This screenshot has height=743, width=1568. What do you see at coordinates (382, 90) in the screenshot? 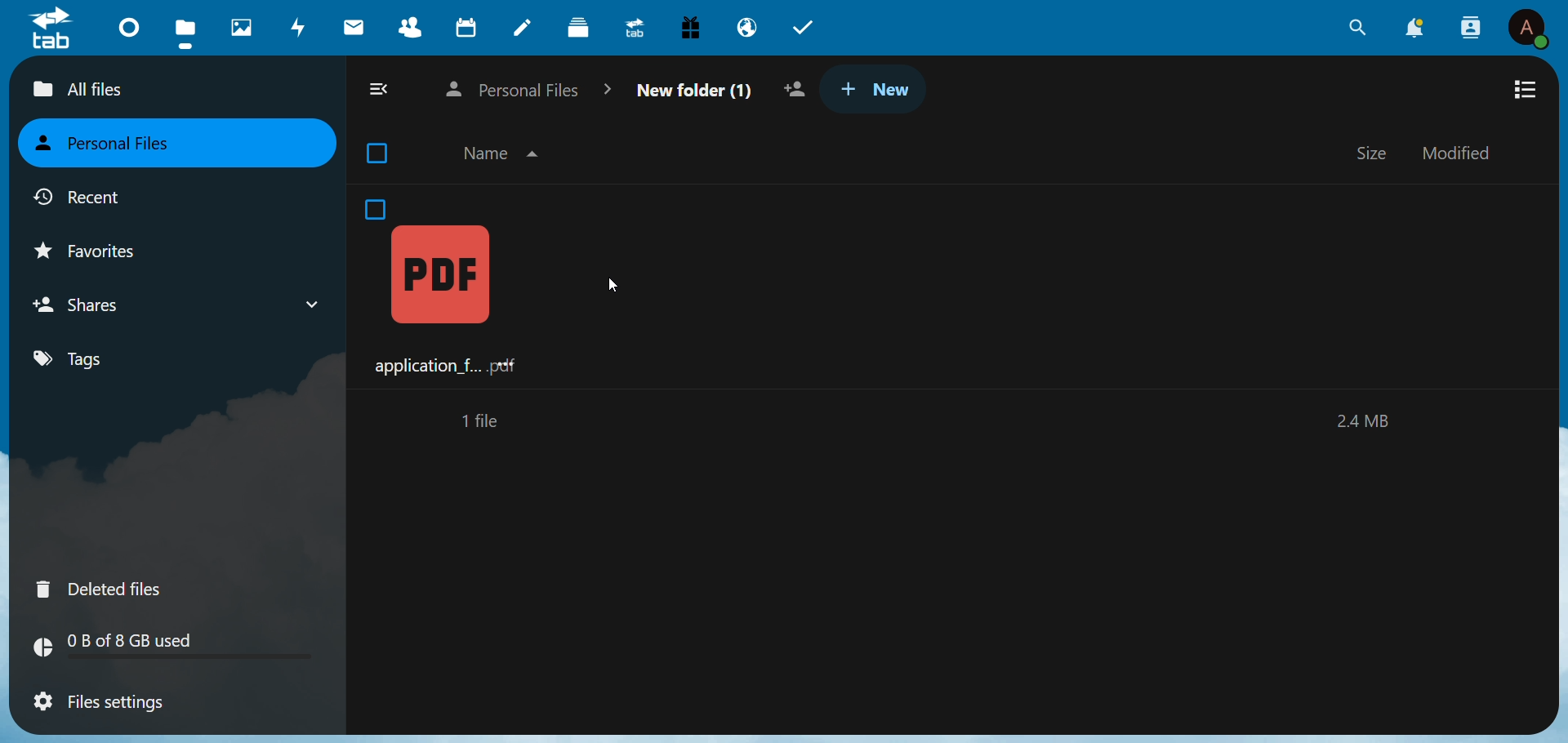
I see `collapse` at bounding box center [382, 90].